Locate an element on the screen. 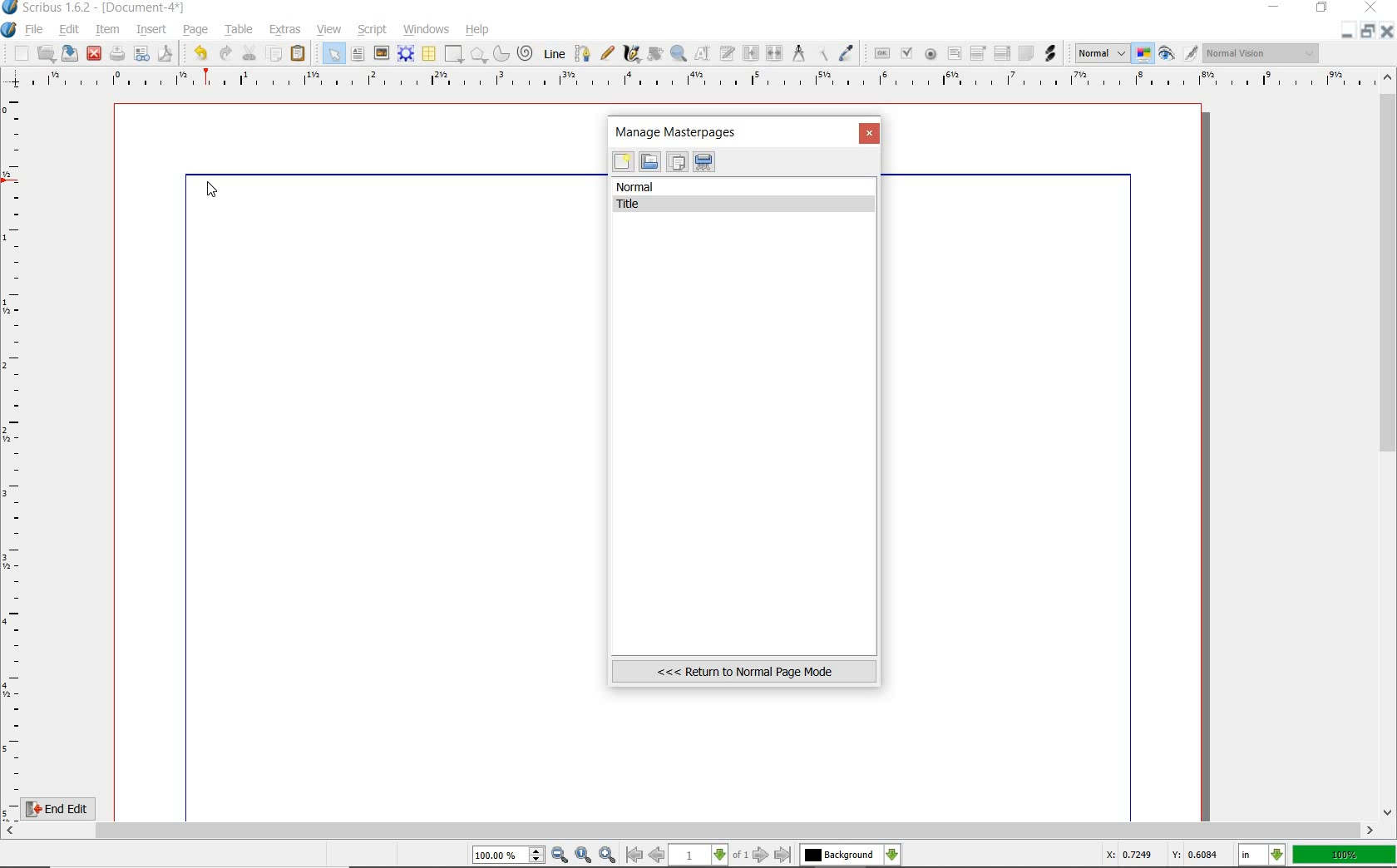  zoom to 100% is located at coordinates (585, 856).